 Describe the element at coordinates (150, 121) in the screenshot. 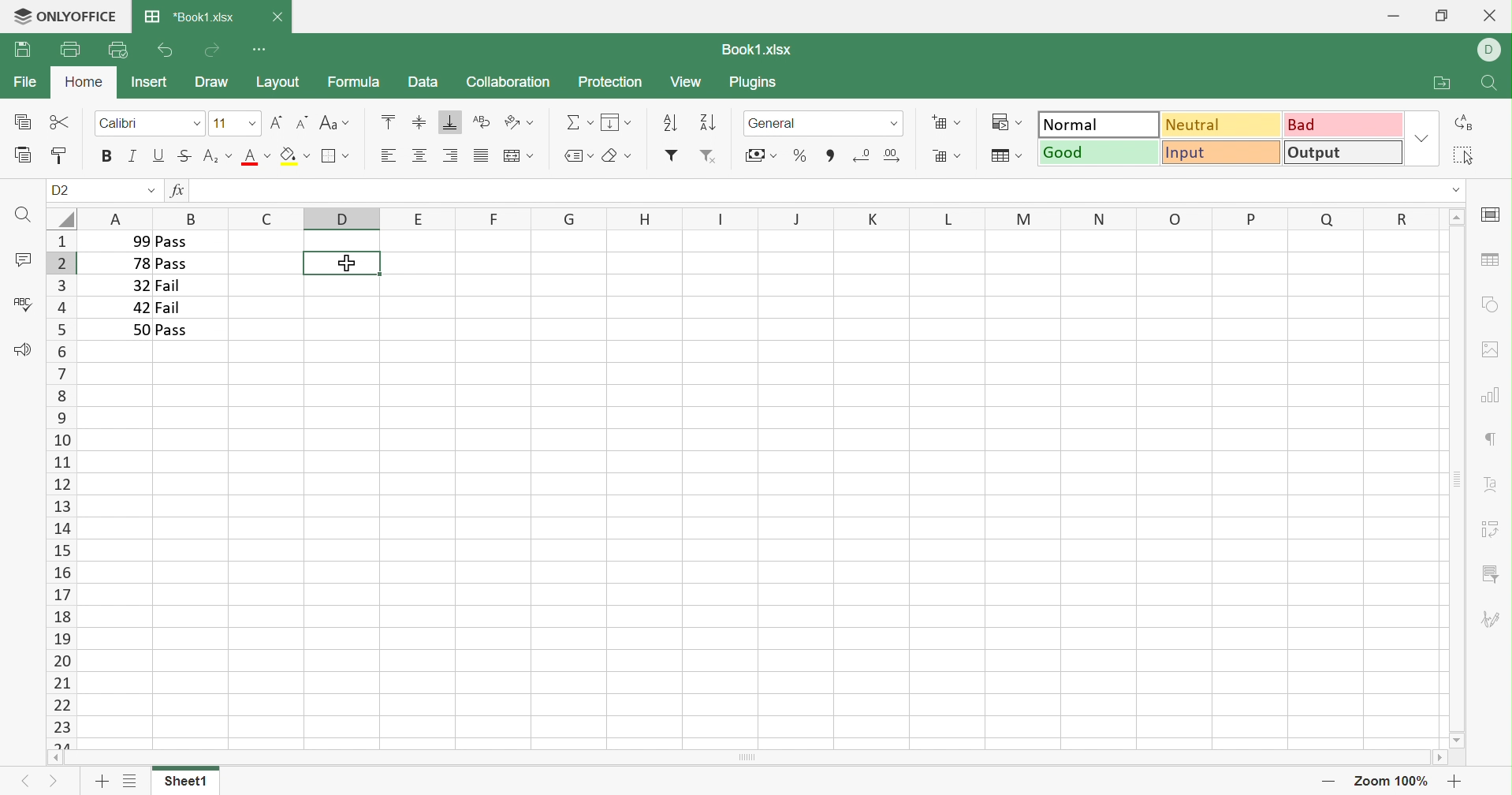

I see `Font` at that location.